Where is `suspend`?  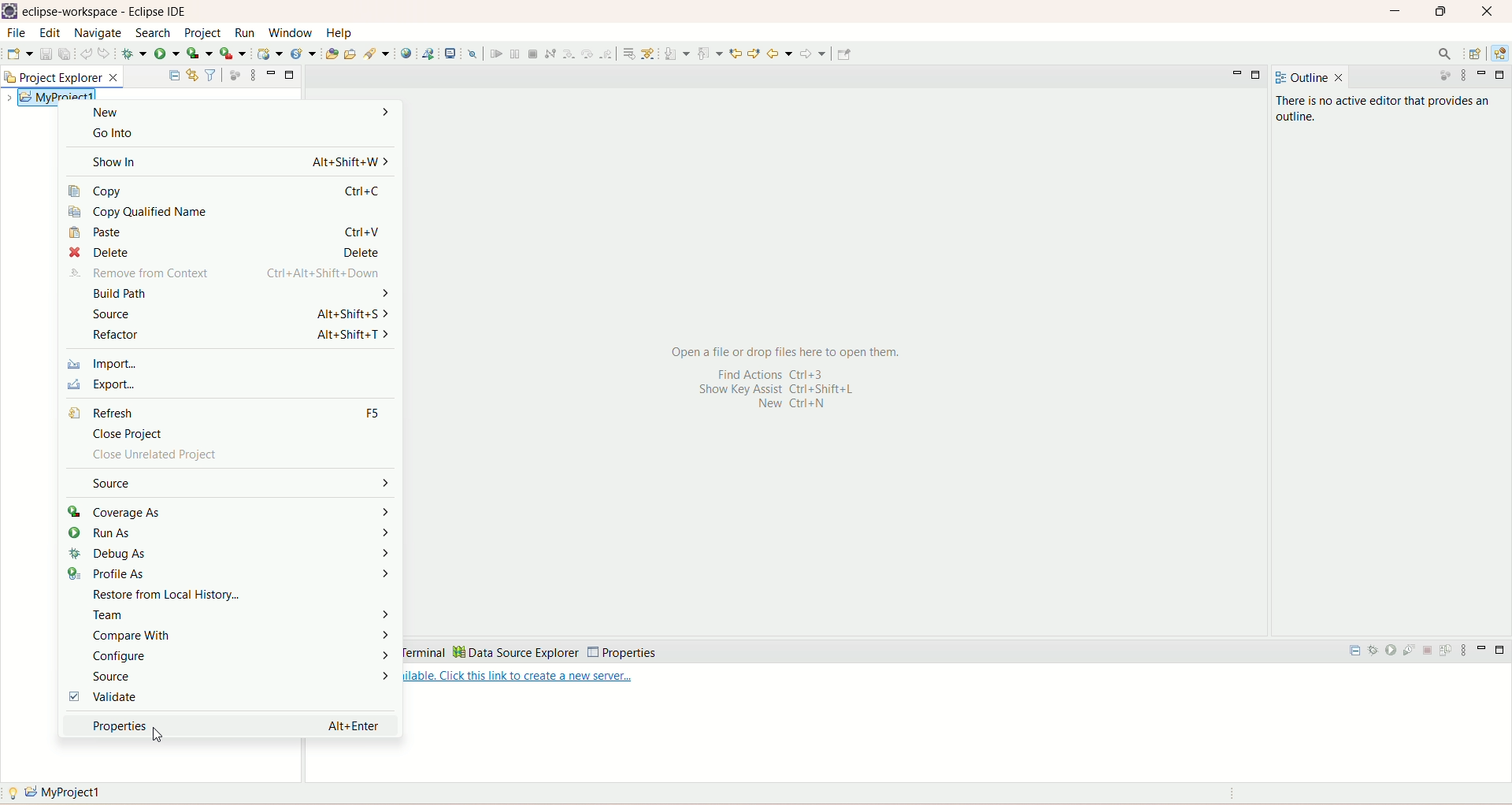 suspend is located at coordinates (513, 54).